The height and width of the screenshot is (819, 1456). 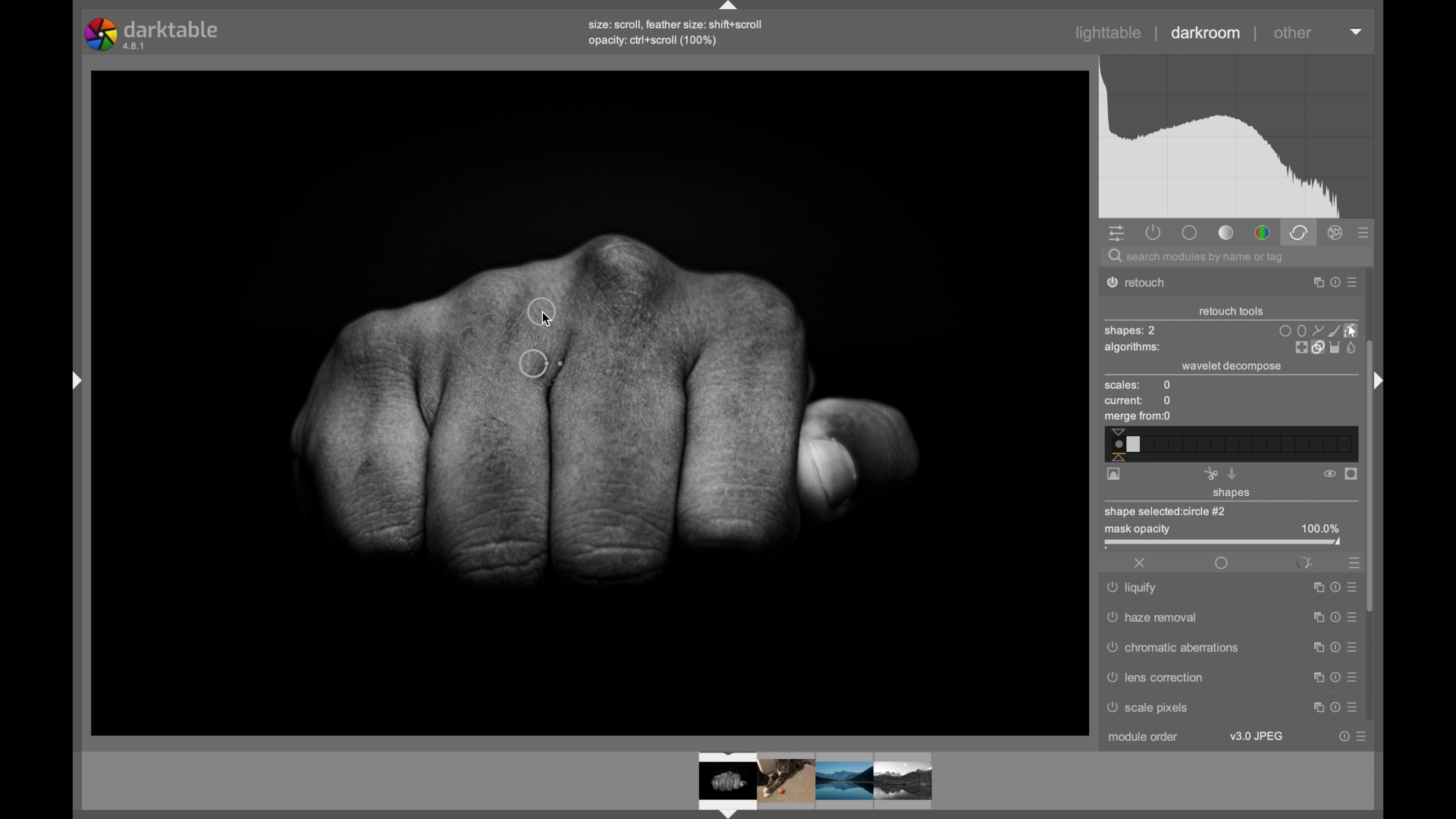 I want to click on maximize, so click(x=1313, y=617).